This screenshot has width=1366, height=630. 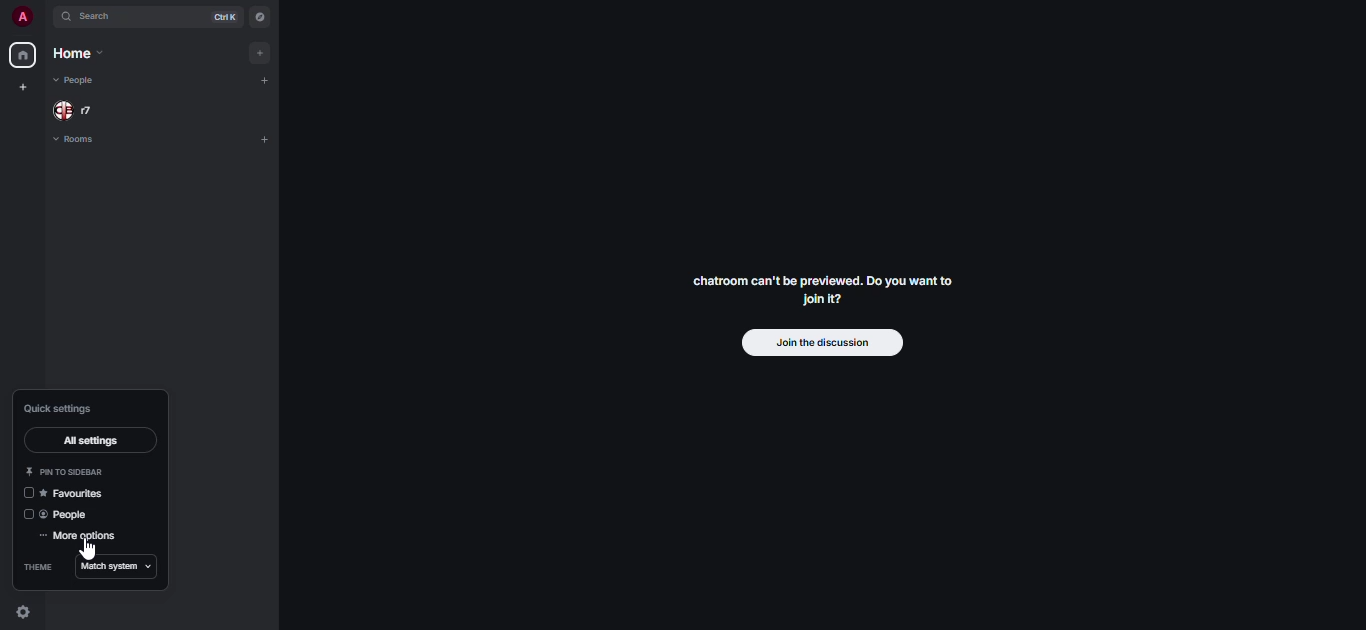 What do you see at coordinates (267, 81) in the screenshot?
I see `add` at bounding box center [267, 81].